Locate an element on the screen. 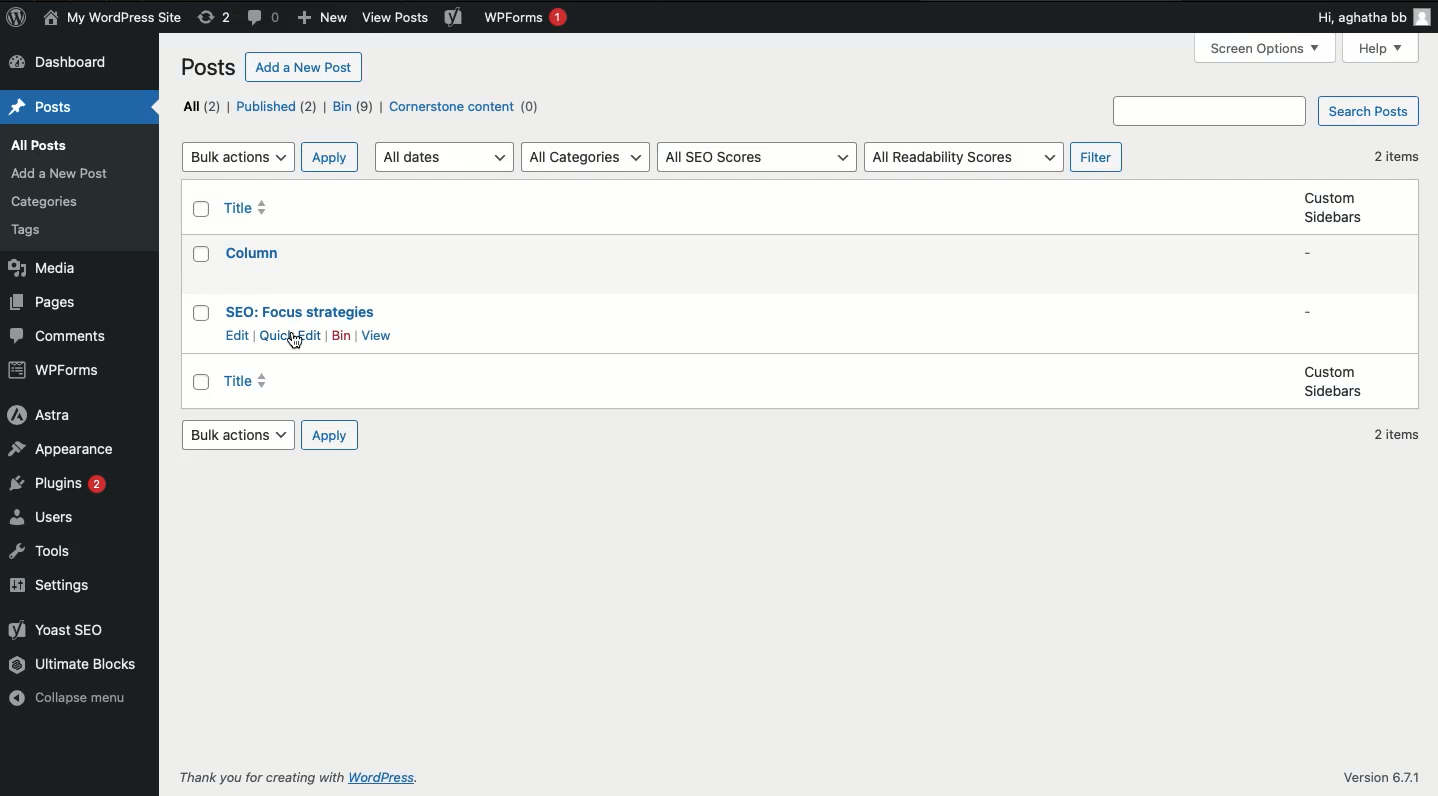 The width and height of the screenshot is (1438, 796). Posts is located at coordinates (41, 231).